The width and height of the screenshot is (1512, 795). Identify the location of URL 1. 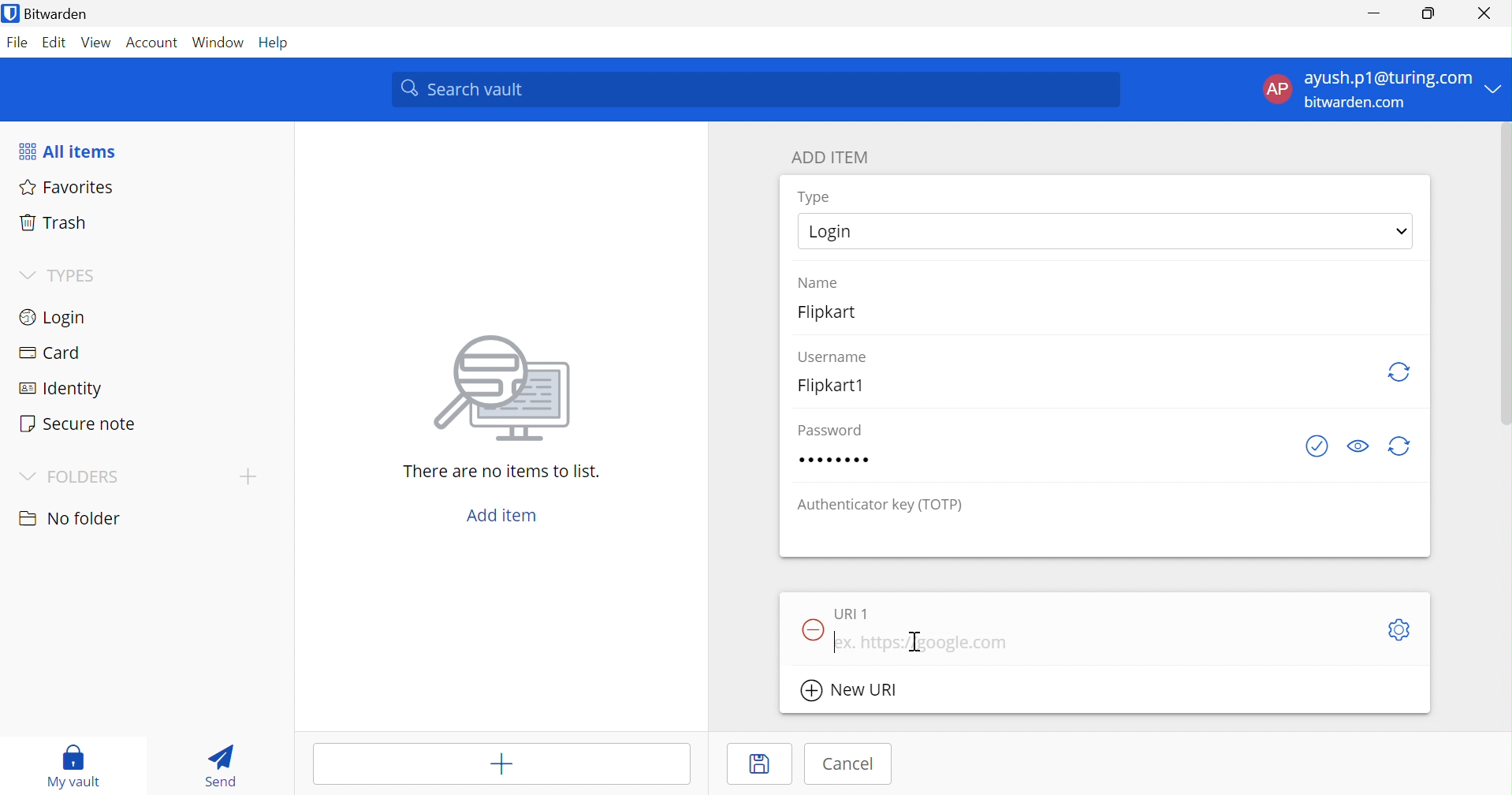
(851, 613).